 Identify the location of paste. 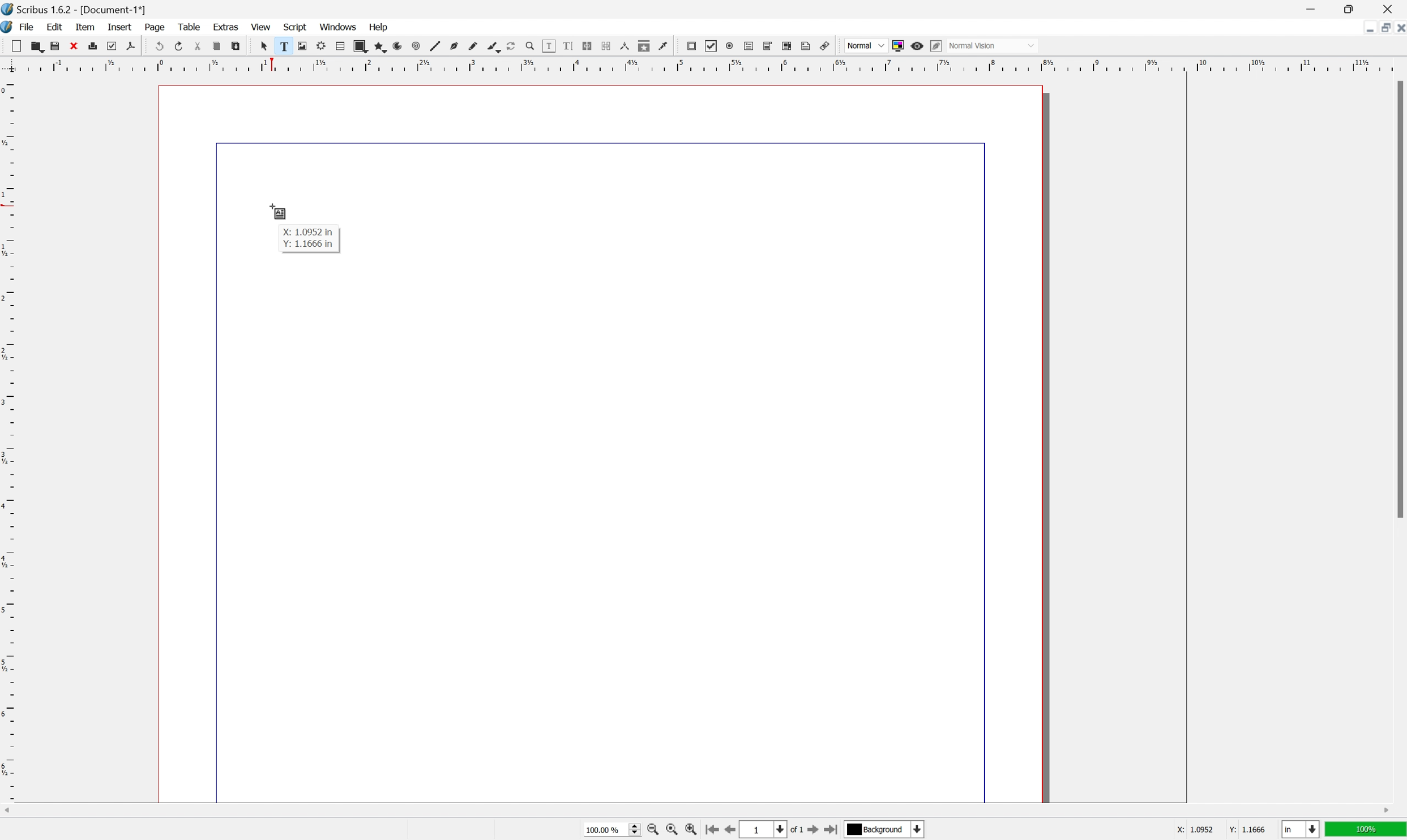
(236, 46).